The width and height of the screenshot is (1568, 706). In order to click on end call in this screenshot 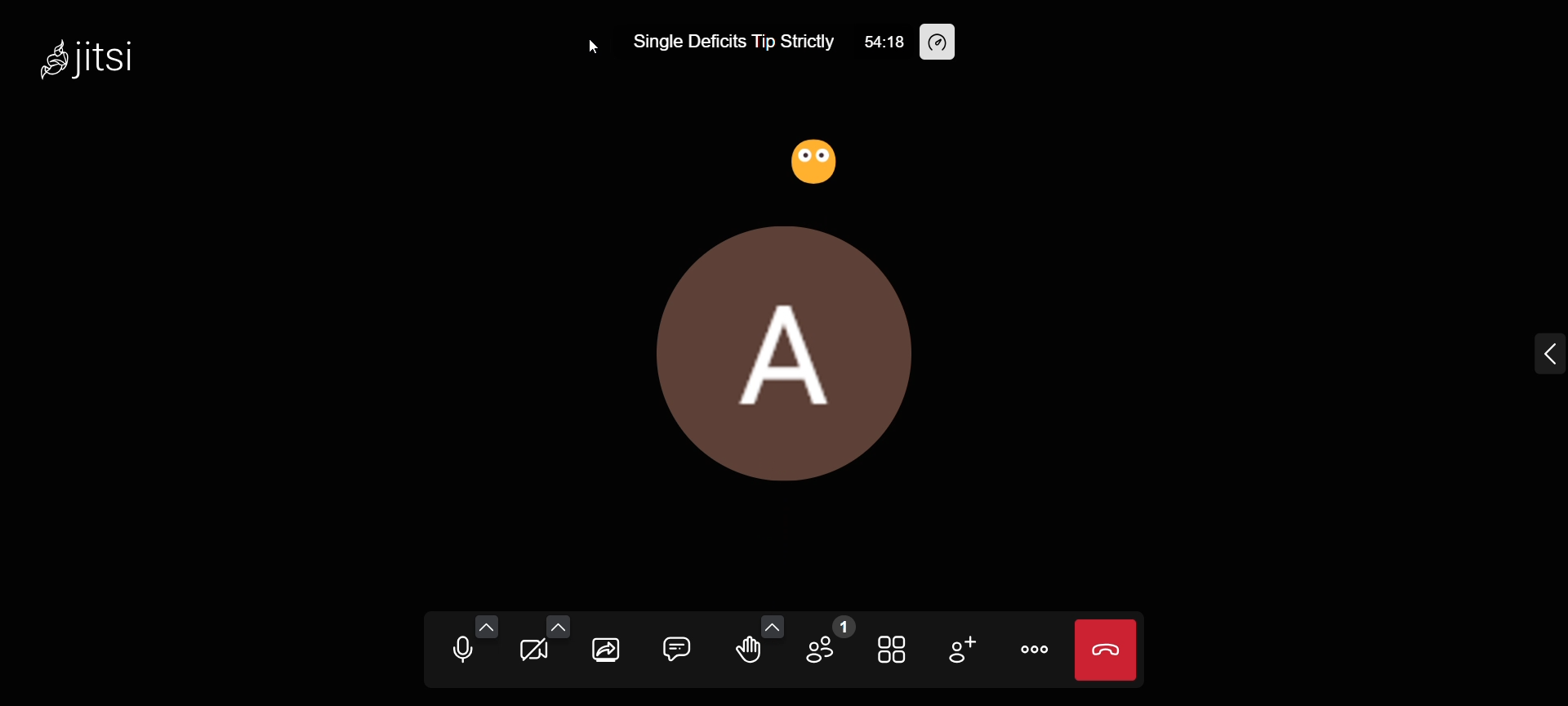, I will do `click(1106, 649)`.